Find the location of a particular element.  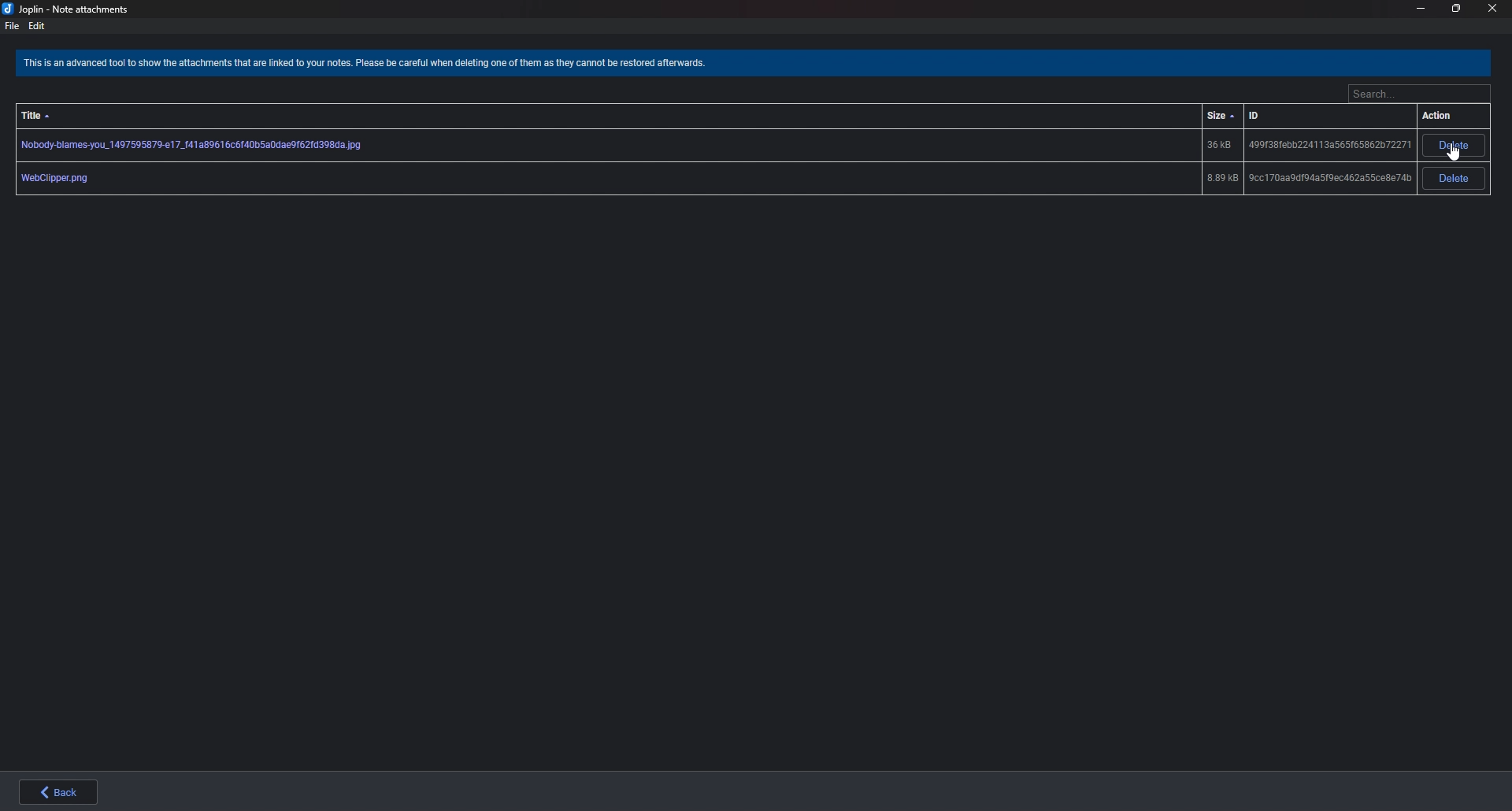

Minimize is located at coordinates (1420, 9).